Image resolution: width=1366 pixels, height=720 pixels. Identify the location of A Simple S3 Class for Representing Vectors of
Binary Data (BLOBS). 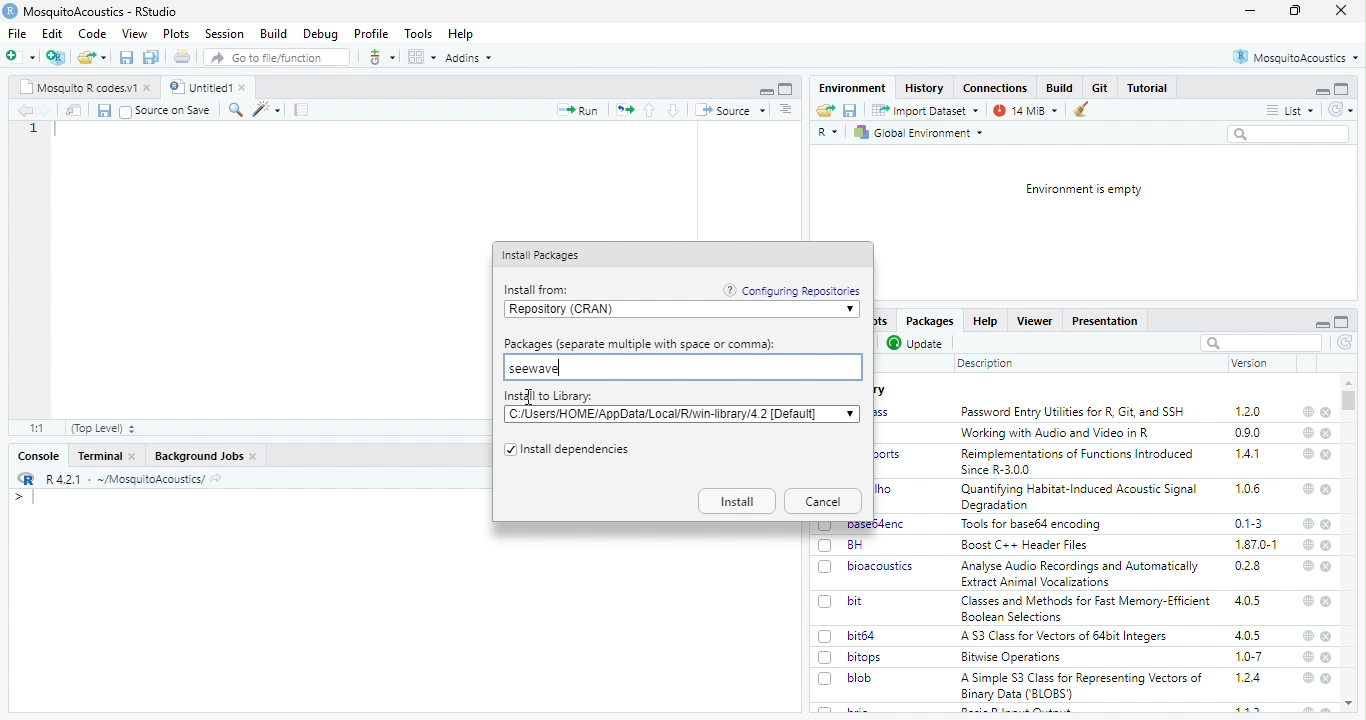
(1082, 687).